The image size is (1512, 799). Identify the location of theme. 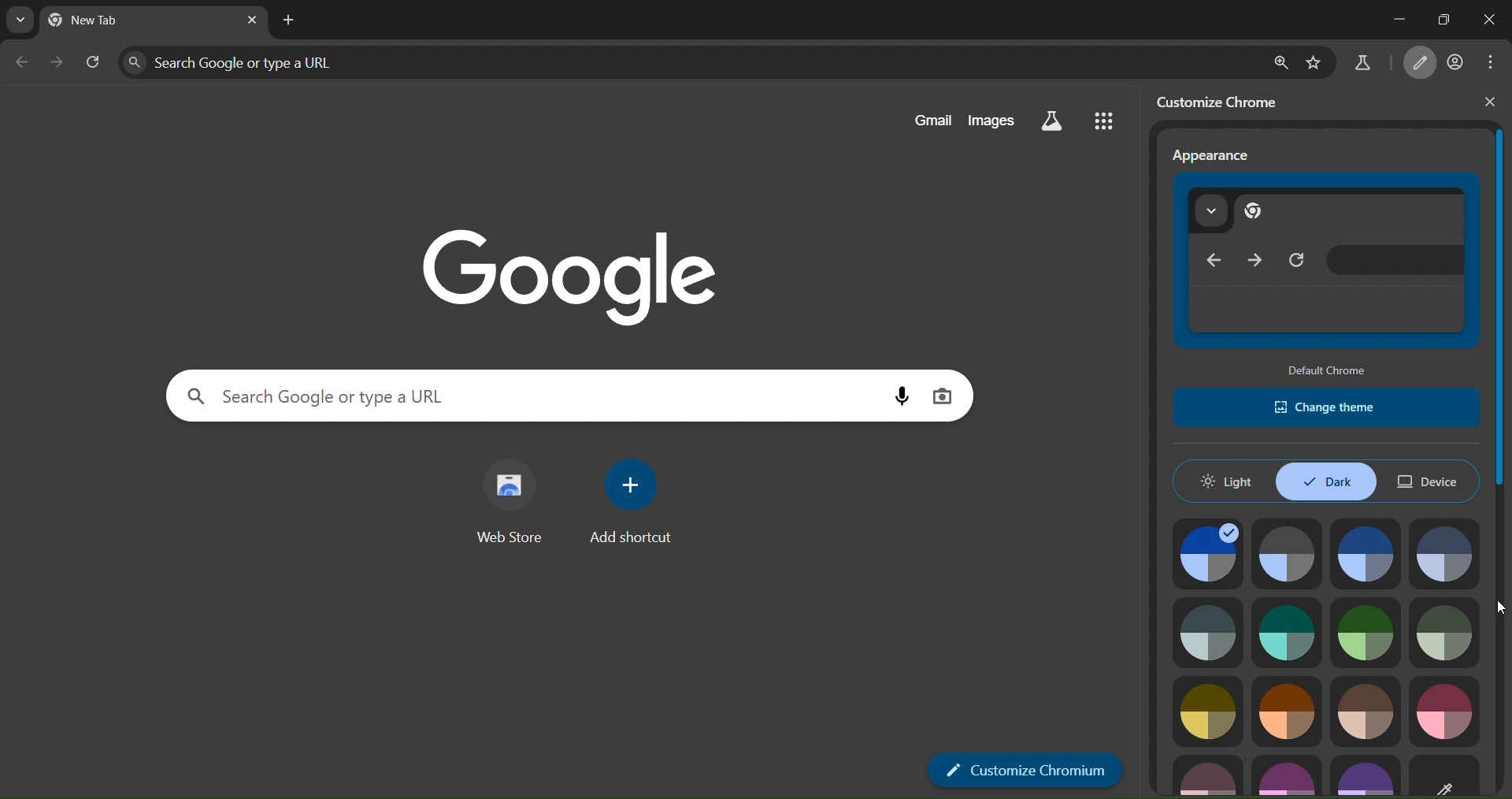
(1365, 708).